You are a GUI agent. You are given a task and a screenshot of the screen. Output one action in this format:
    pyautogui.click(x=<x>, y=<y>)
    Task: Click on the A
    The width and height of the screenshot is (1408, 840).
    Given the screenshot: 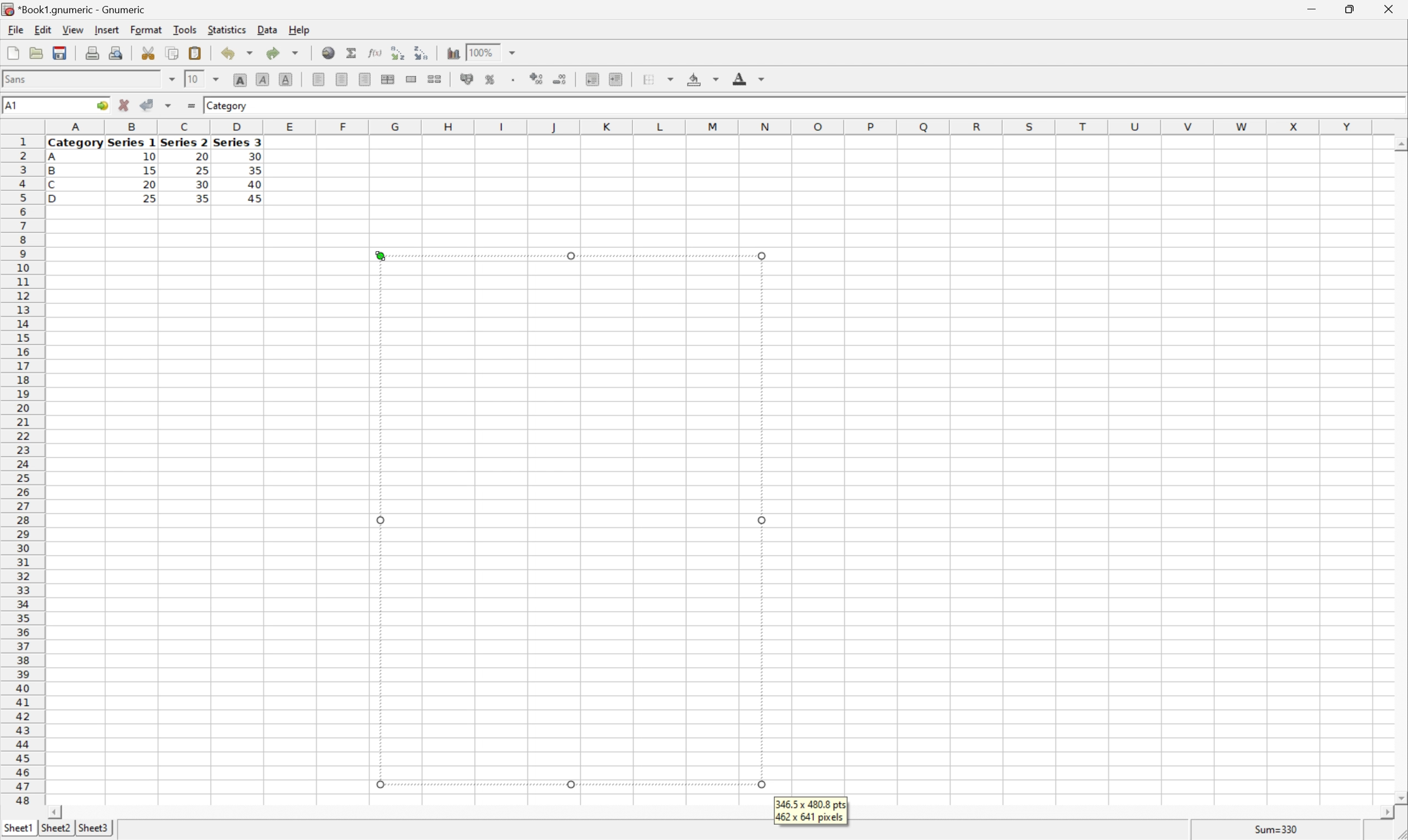 What is the action you would take?
    pyautogui.click(x=54, y=158)
    